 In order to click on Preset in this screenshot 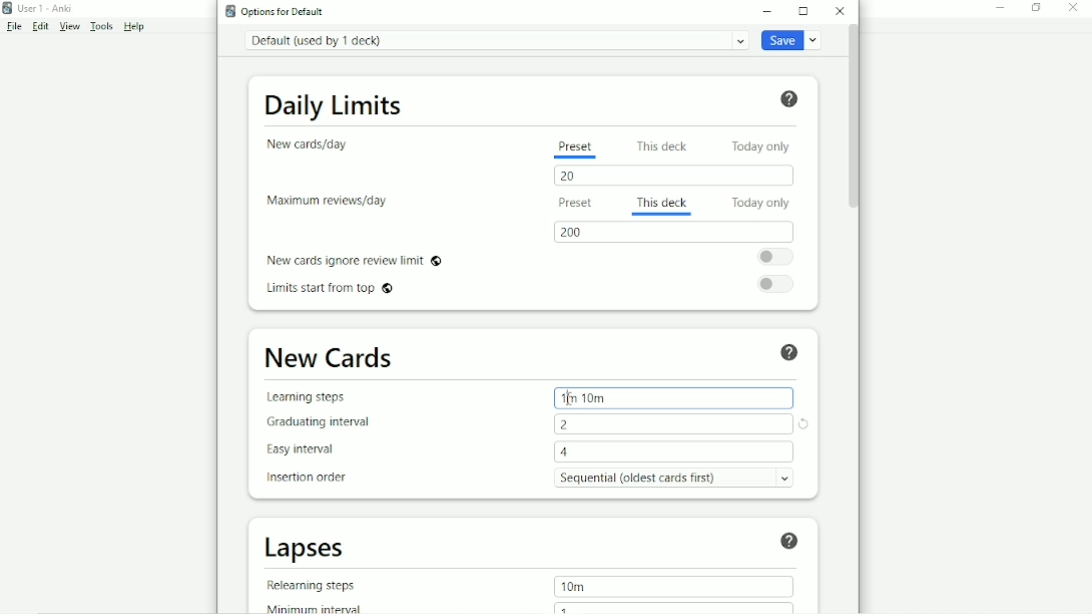, I will do `click(575, 148)`.